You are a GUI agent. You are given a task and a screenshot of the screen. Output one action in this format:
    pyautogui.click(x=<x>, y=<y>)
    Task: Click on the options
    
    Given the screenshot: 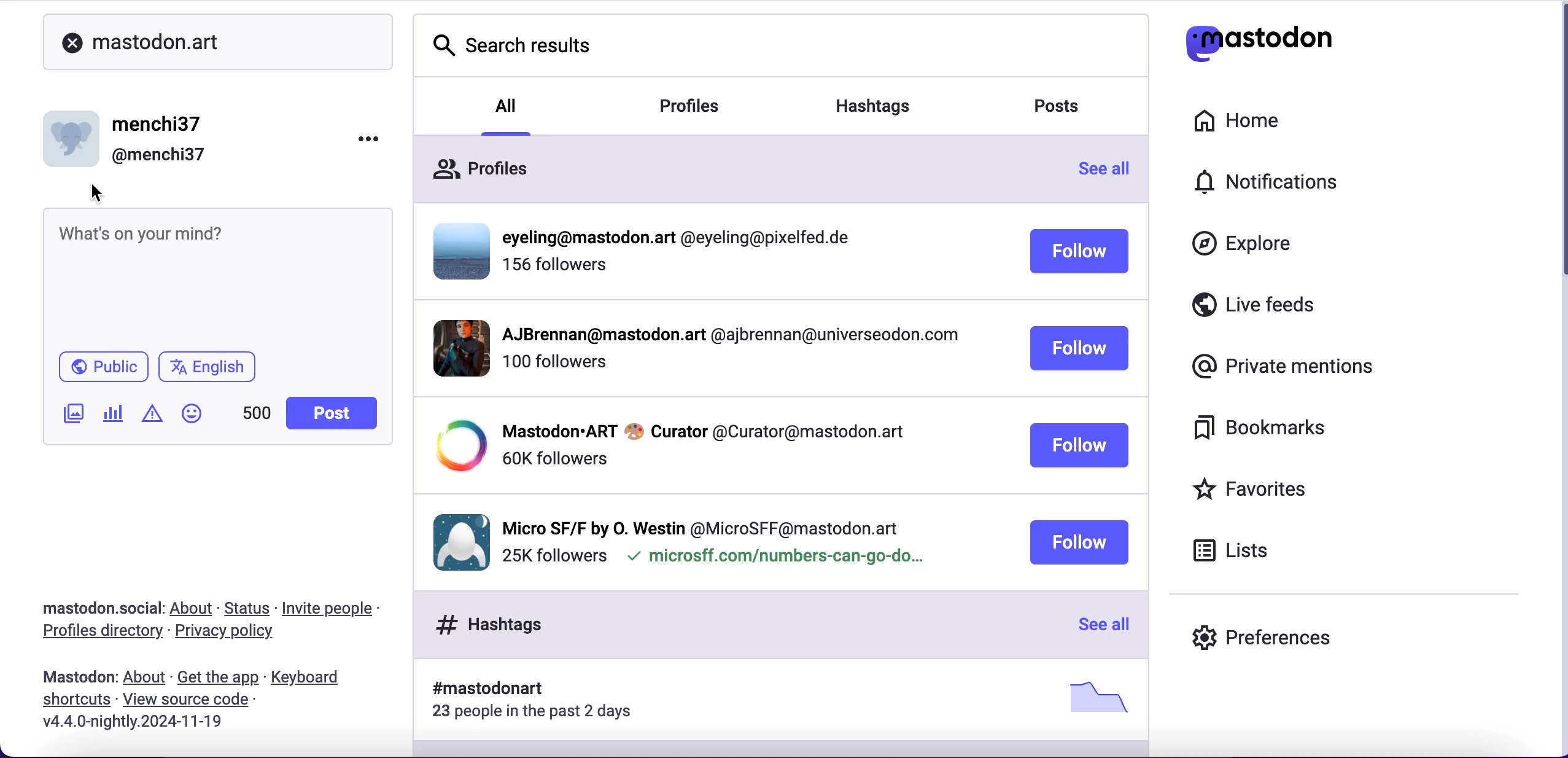 What is the action you would take?
    pyautogui.click(x=370, y=138)
    